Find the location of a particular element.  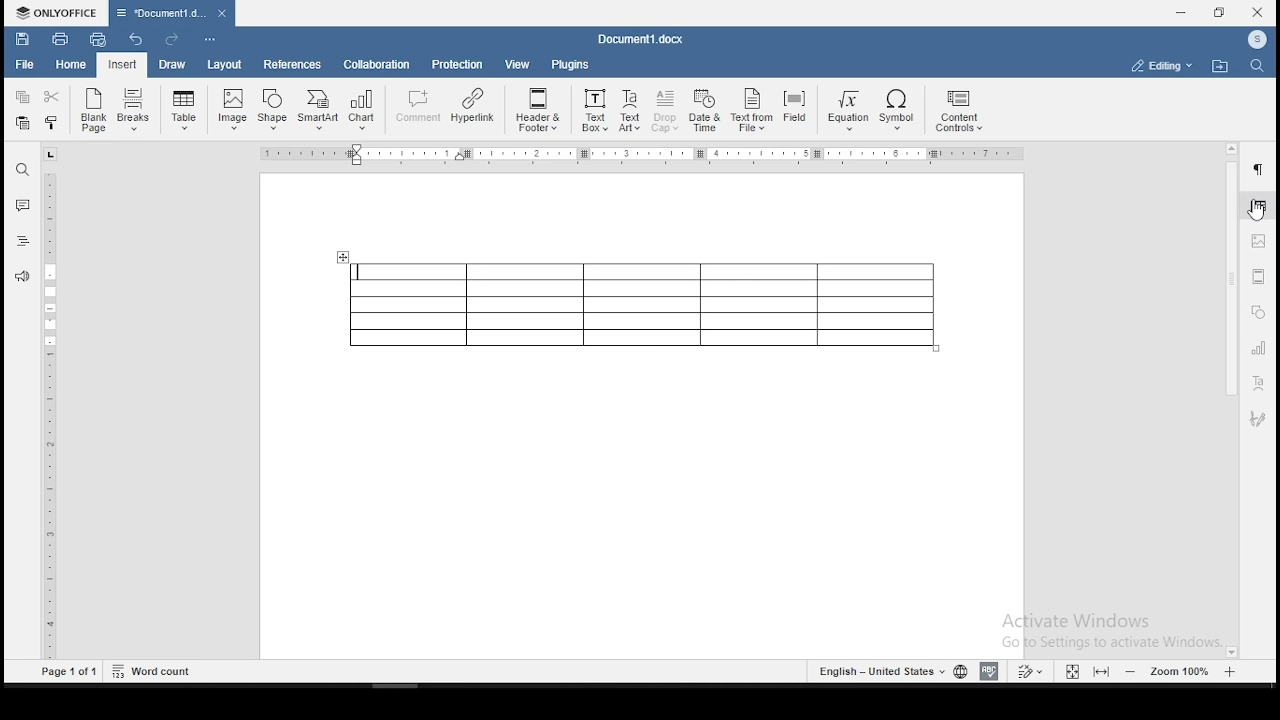

table is located at coordinates (643, 303).